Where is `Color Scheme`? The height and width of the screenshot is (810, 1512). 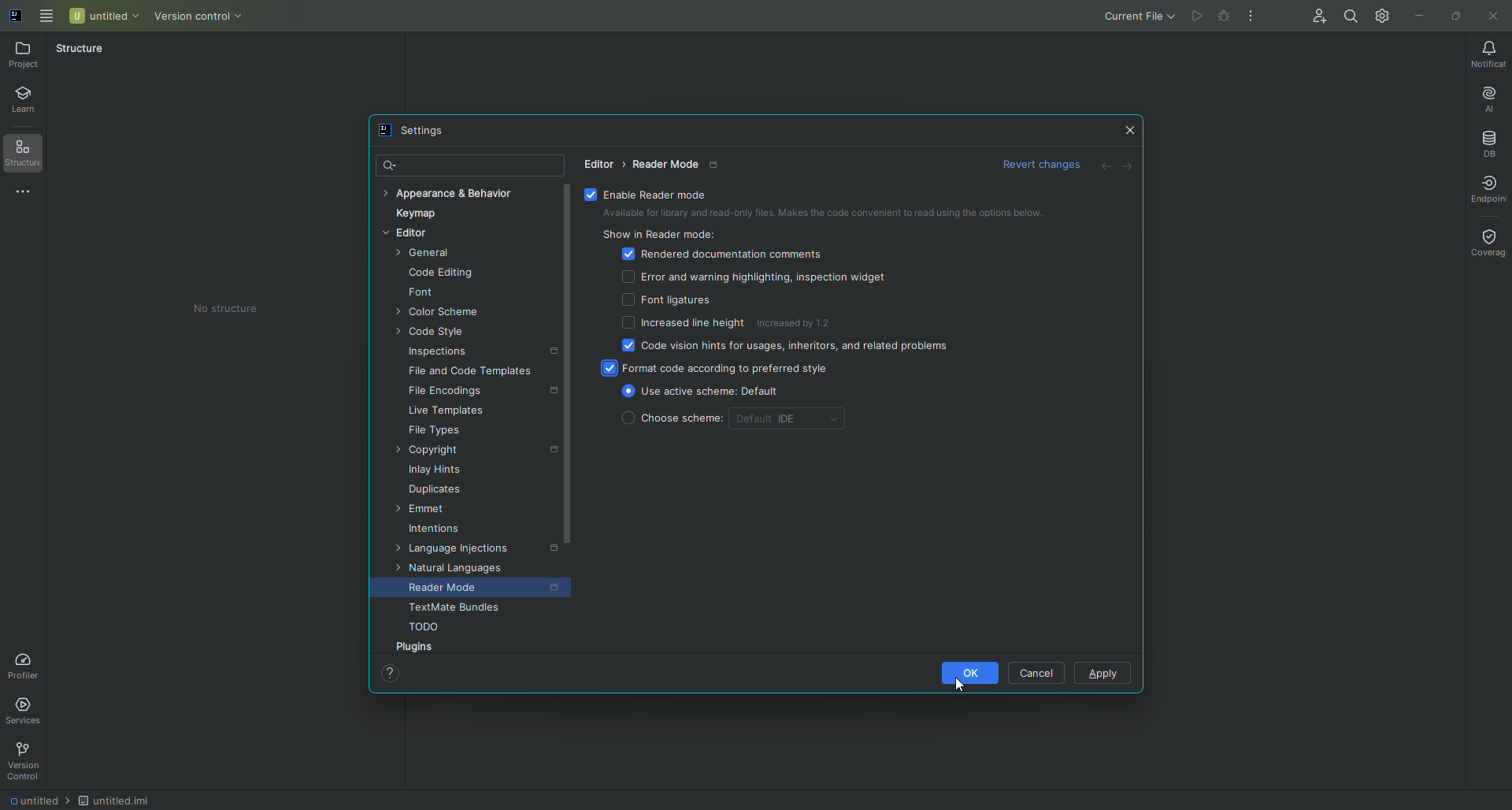 Color Scheme is located at coordinates (439, 313).